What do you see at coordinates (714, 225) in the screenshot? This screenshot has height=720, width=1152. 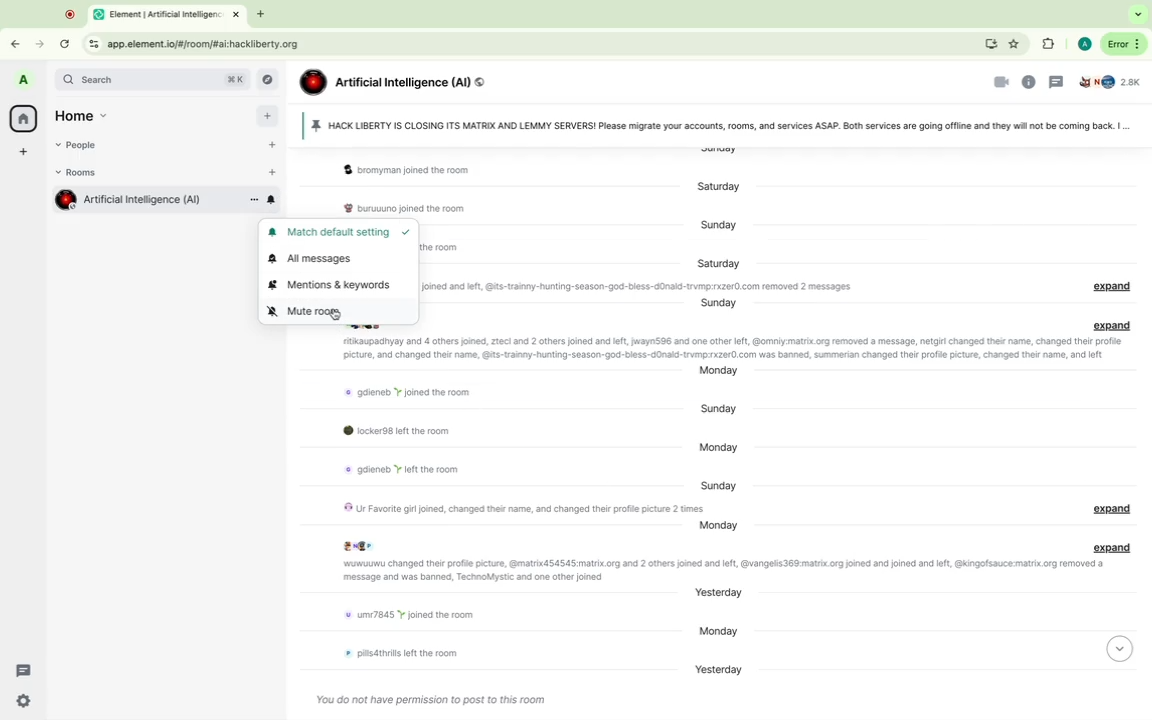 I see `Day` at bounding box center [714, 225].